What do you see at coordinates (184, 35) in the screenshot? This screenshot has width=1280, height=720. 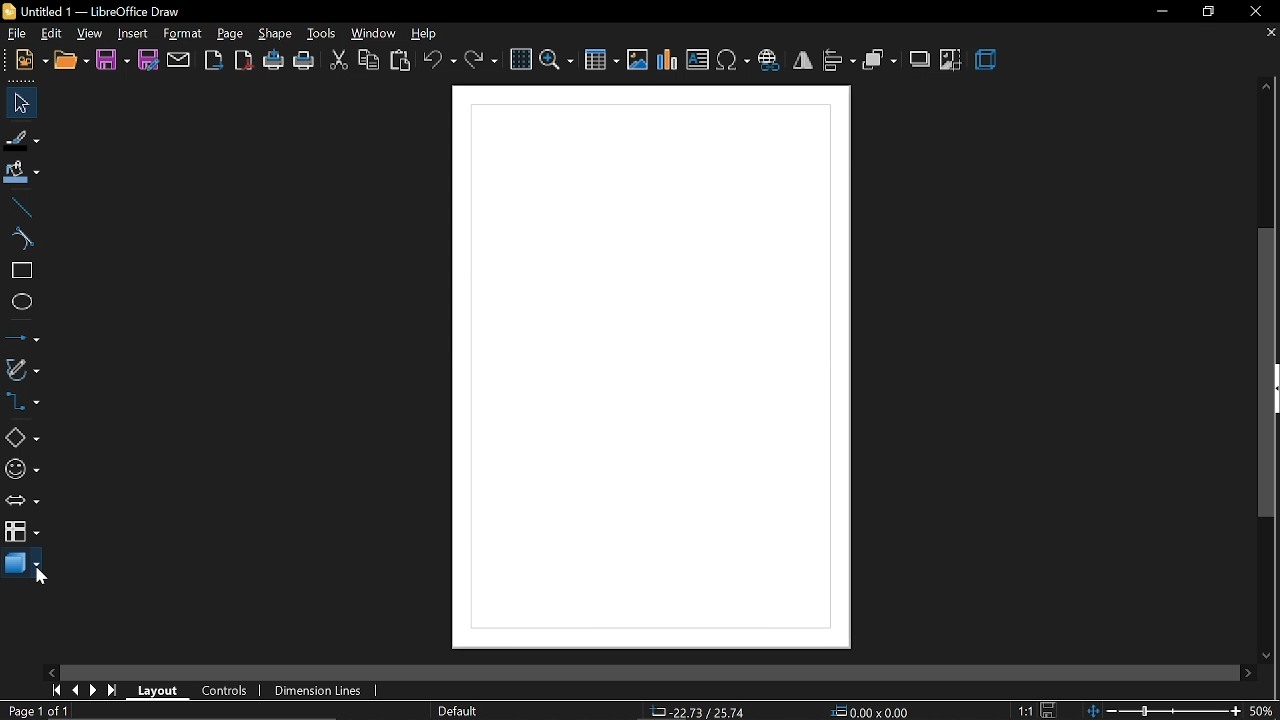 I see `format` at bounding box center [184, 35].